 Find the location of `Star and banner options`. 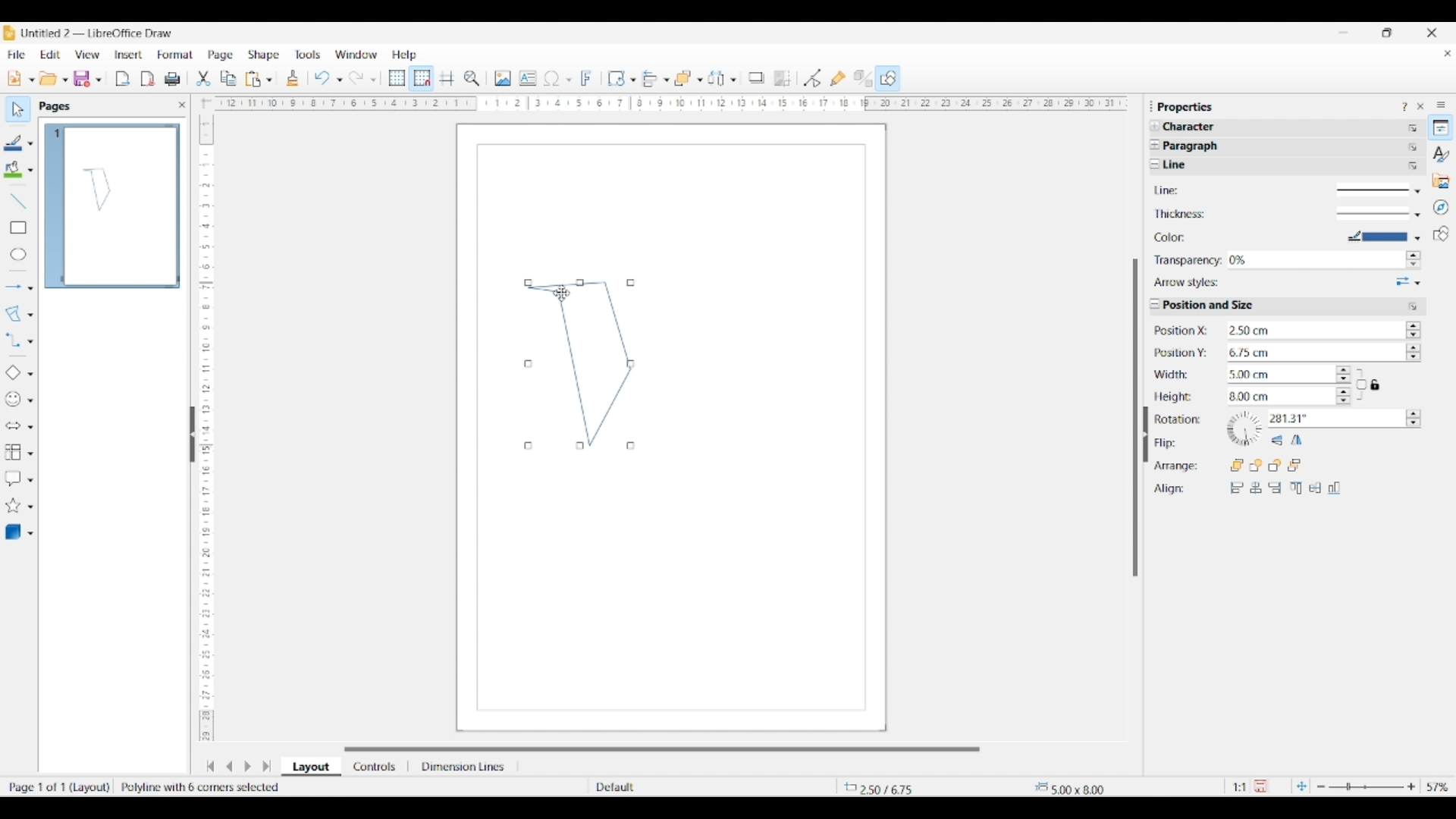

Star and banner options is located at coordinates (30, 507).